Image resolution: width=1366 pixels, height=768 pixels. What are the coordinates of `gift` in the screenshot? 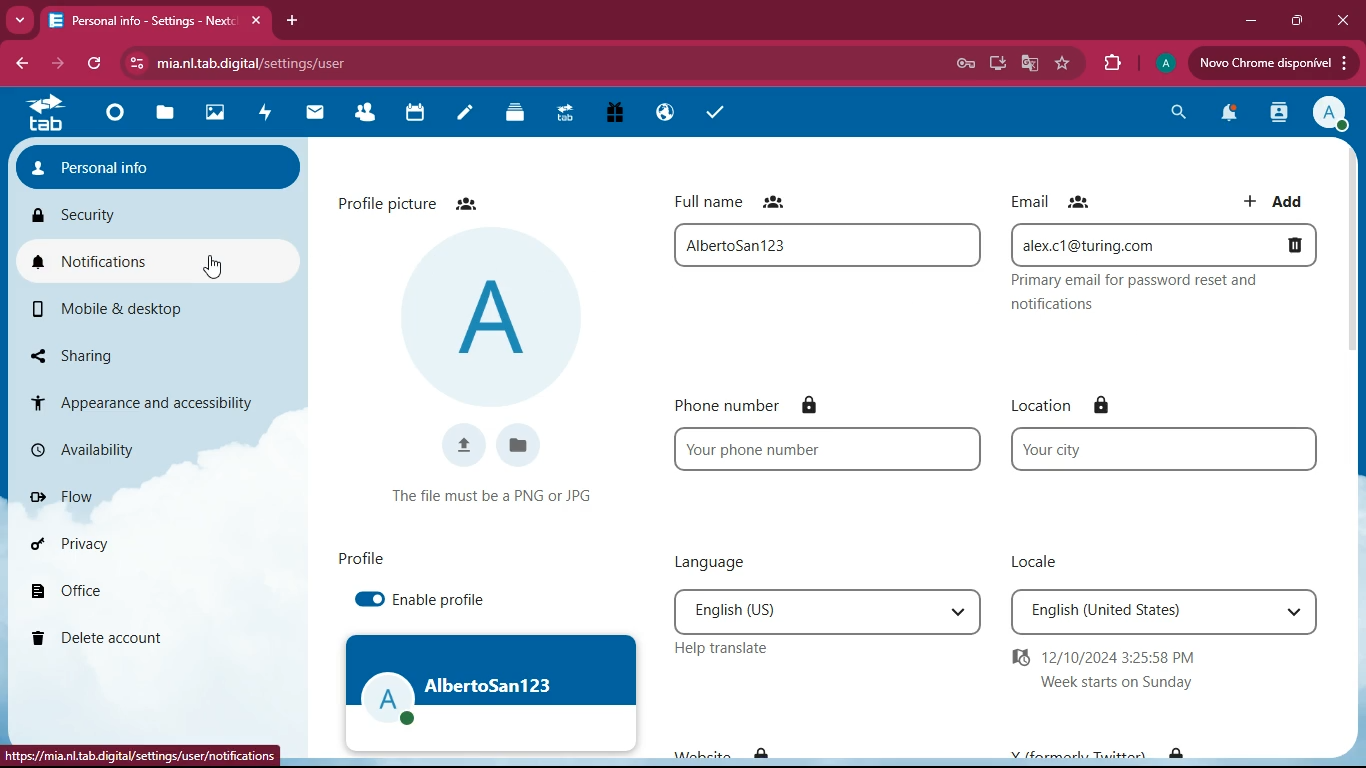 It's located at (608, 113).